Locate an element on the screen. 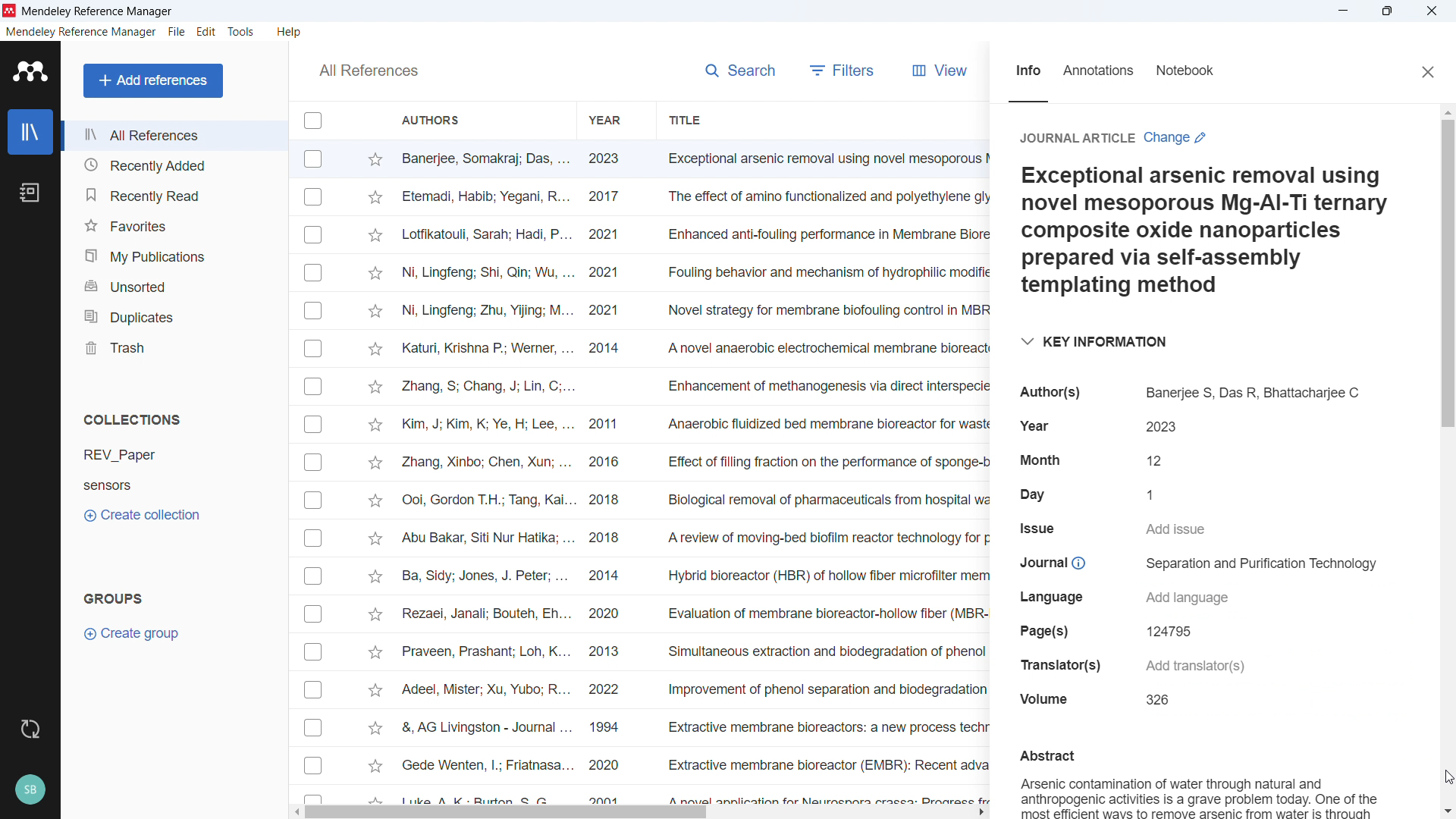  Sort by year  is located at coordinates (605, 121).